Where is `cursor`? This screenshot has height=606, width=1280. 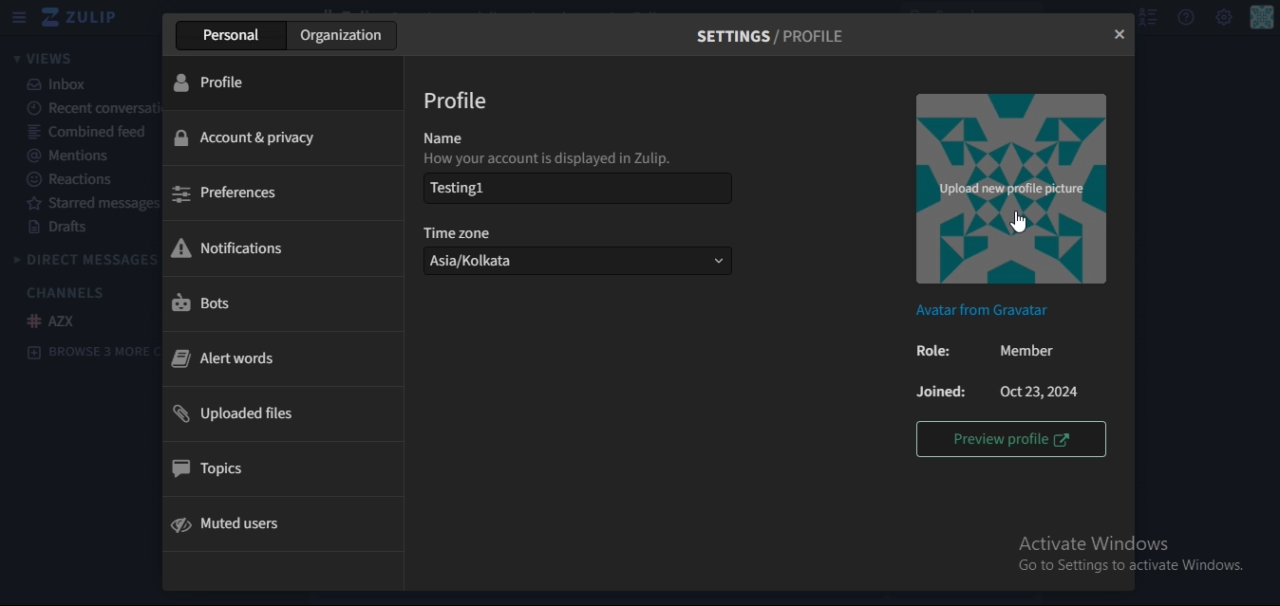 cursor is located at coordinates (1023, 221).